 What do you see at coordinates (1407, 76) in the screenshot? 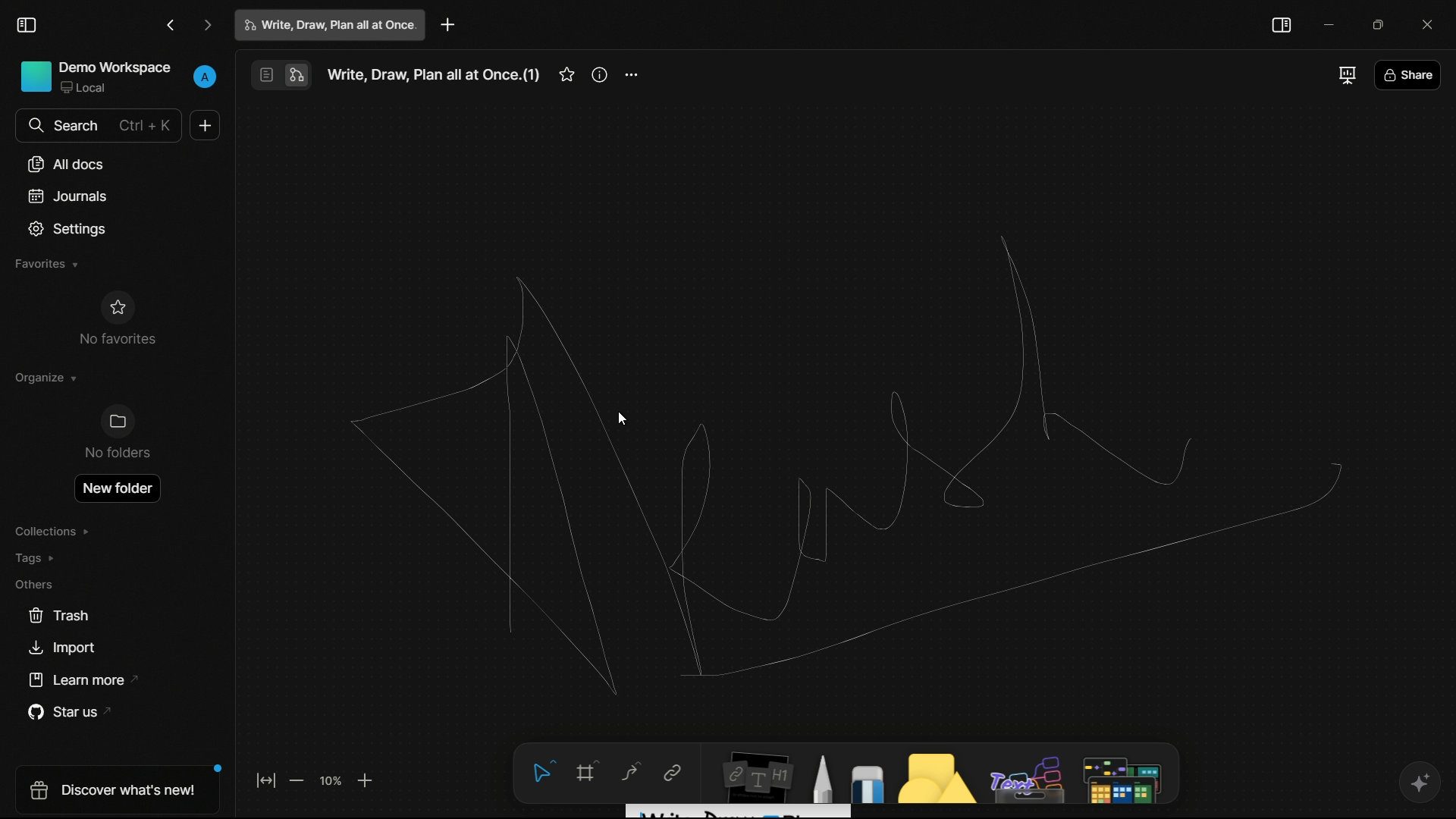
I see `share` at bounding box center [1407, 76].